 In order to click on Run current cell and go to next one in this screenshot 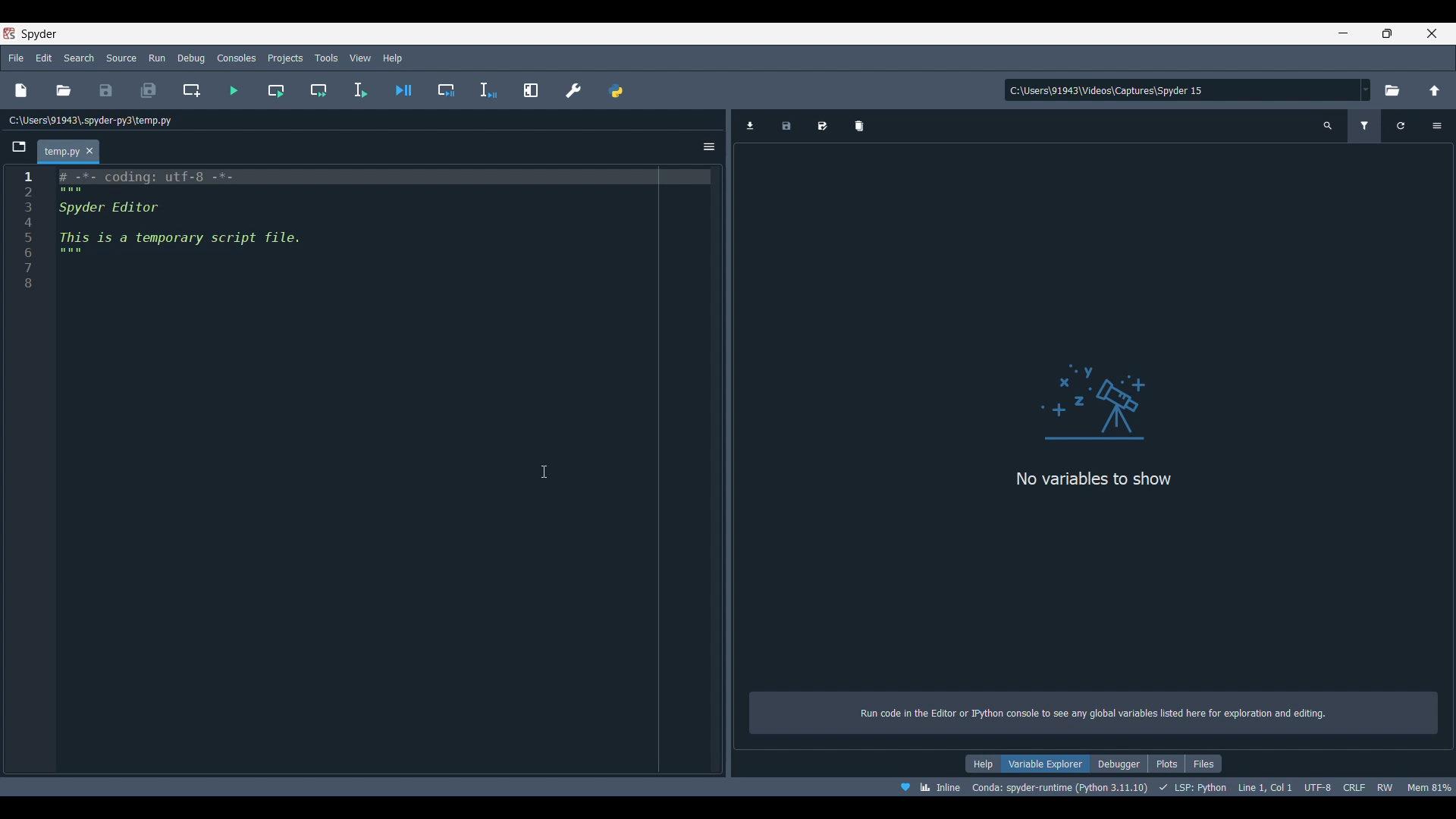, I will do `click(318, 90)`.